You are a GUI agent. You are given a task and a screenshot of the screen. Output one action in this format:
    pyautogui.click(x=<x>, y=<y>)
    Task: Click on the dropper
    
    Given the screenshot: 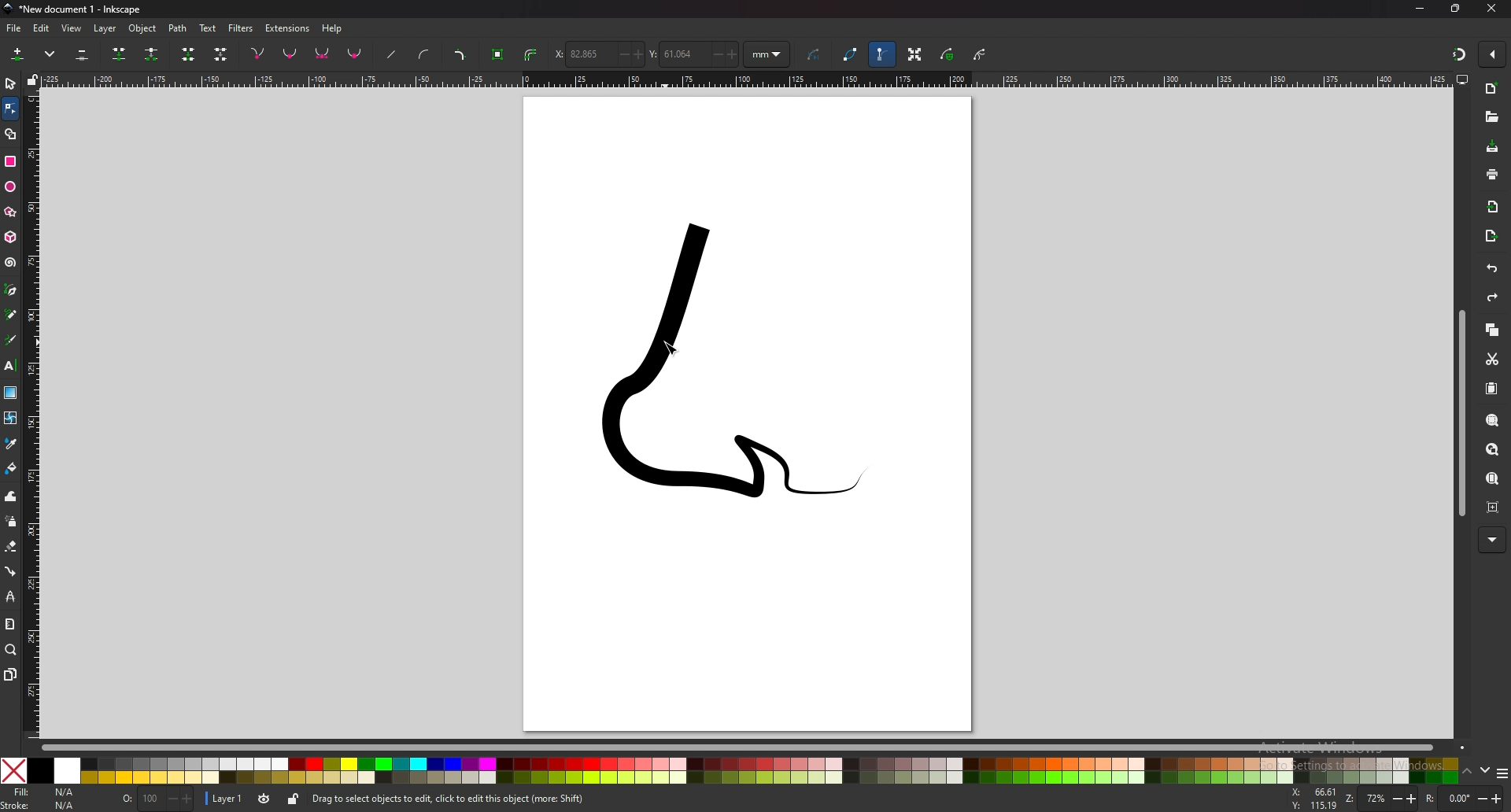 What is the action you would take?
    pyautogui.click(x=11, y=444)
    